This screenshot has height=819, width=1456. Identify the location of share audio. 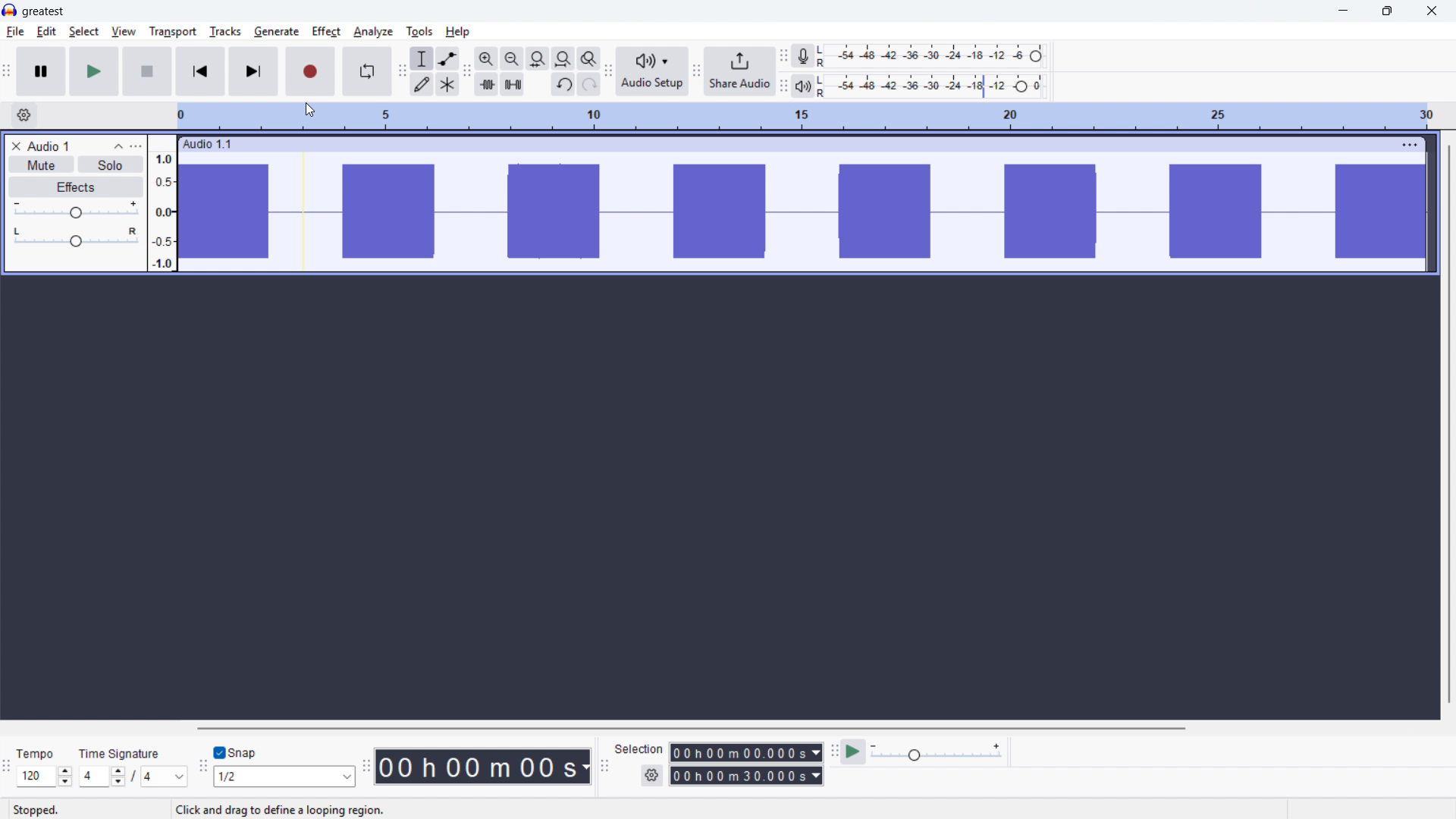
(739, 72).